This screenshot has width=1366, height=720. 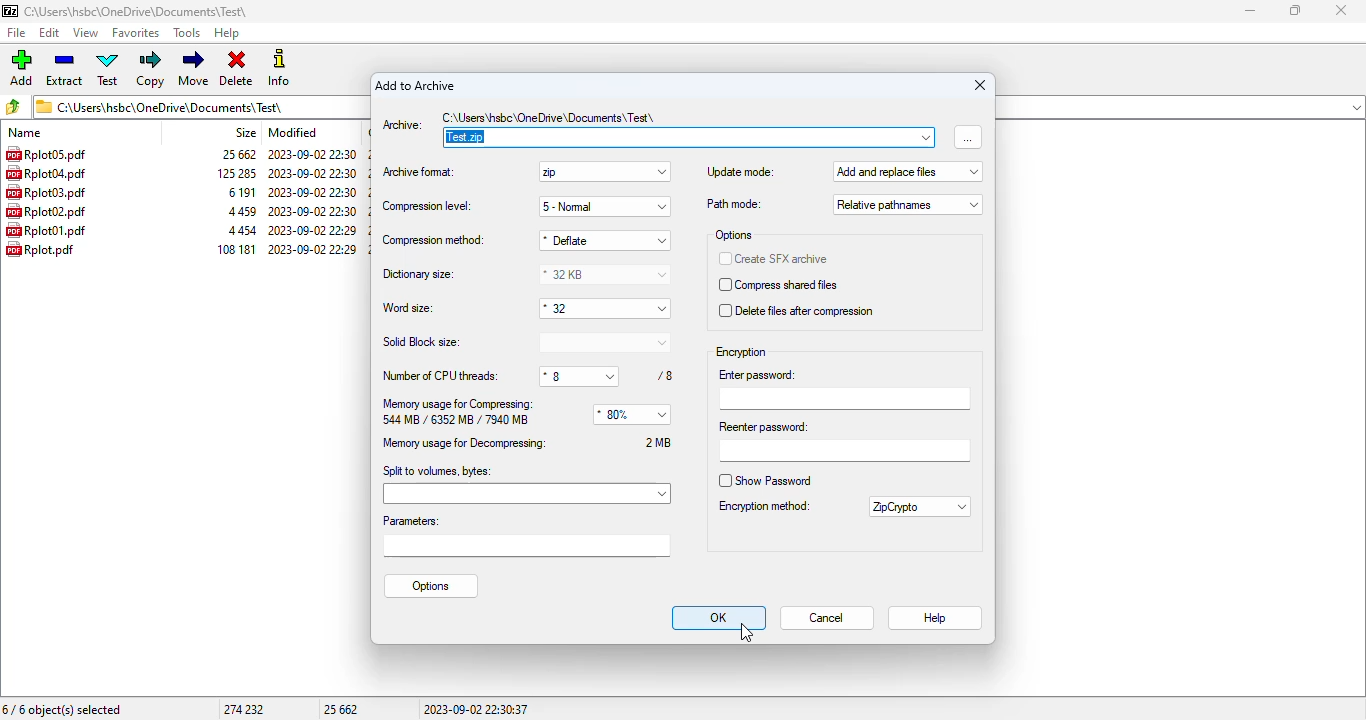 I want to click on ZipCrypto, so click(x=920, y=506).